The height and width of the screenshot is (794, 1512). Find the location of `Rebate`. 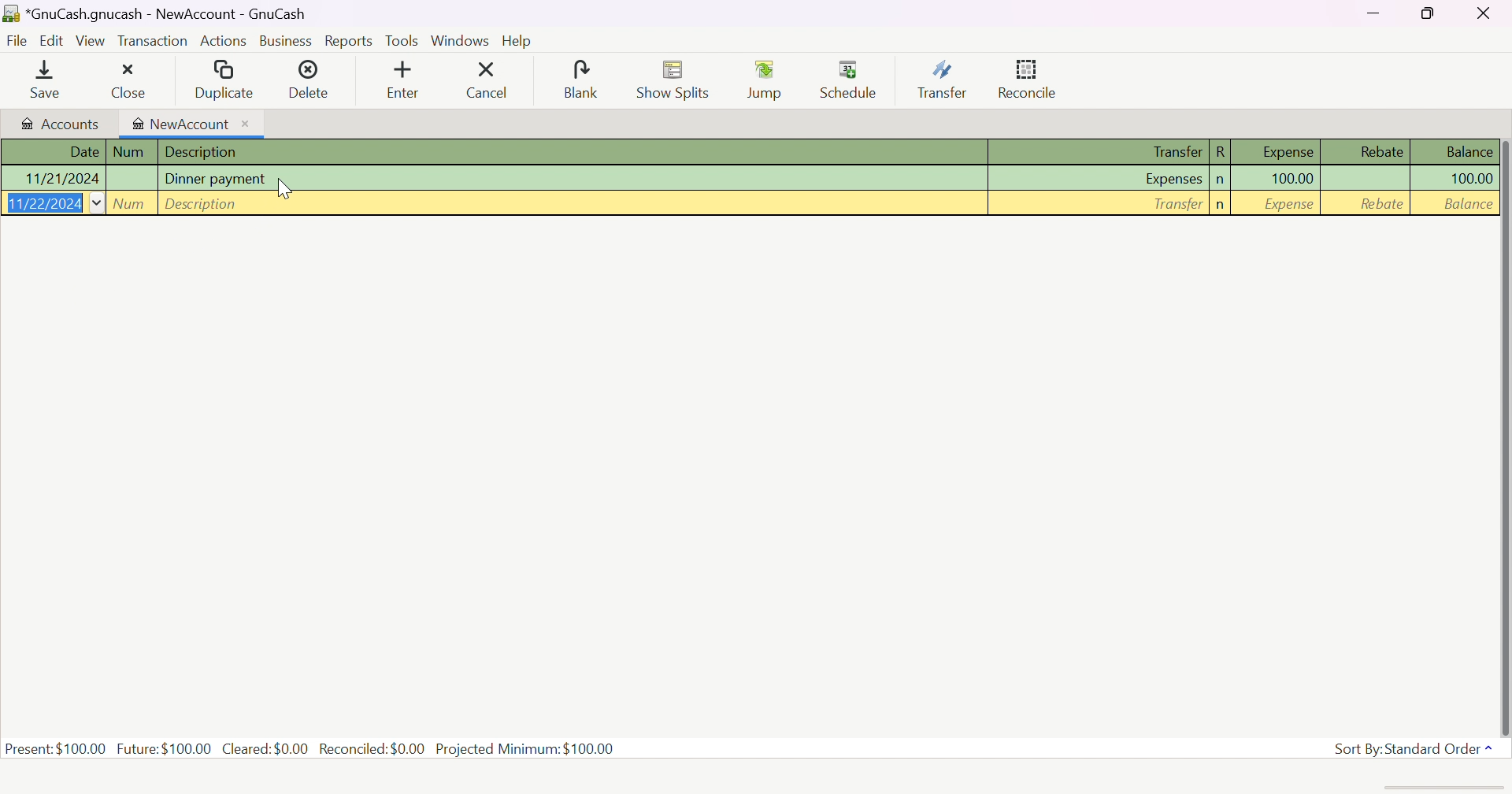

Rebate is located at coordinates (1380, 203).